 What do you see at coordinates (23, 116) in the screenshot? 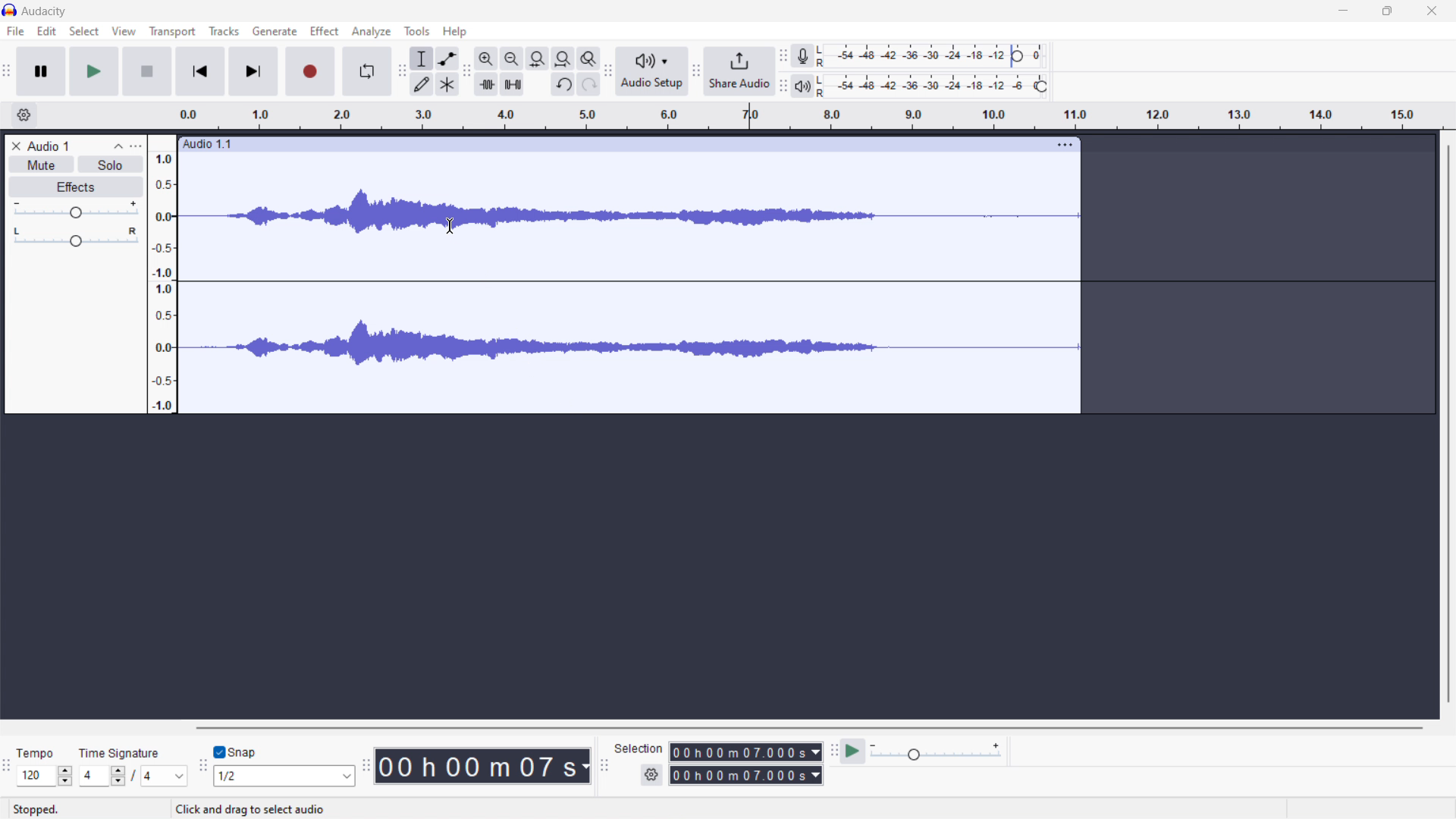
I see `settings` at bounding box center [23, 116].